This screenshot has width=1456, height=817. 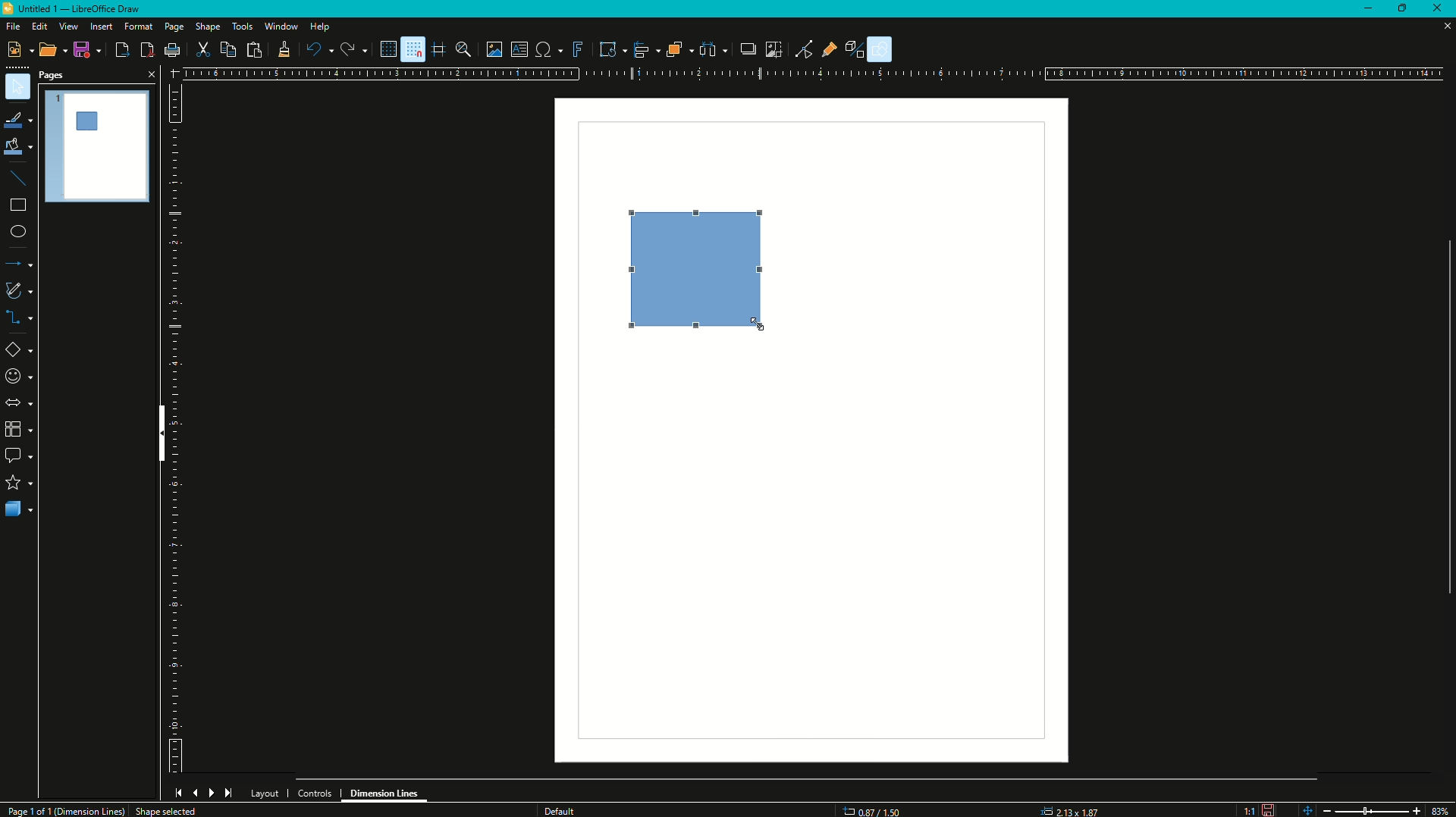 What do you see at coordinates (808, 777) in the screenshot?
I see `Scroll` at bounding box center [808, 777].